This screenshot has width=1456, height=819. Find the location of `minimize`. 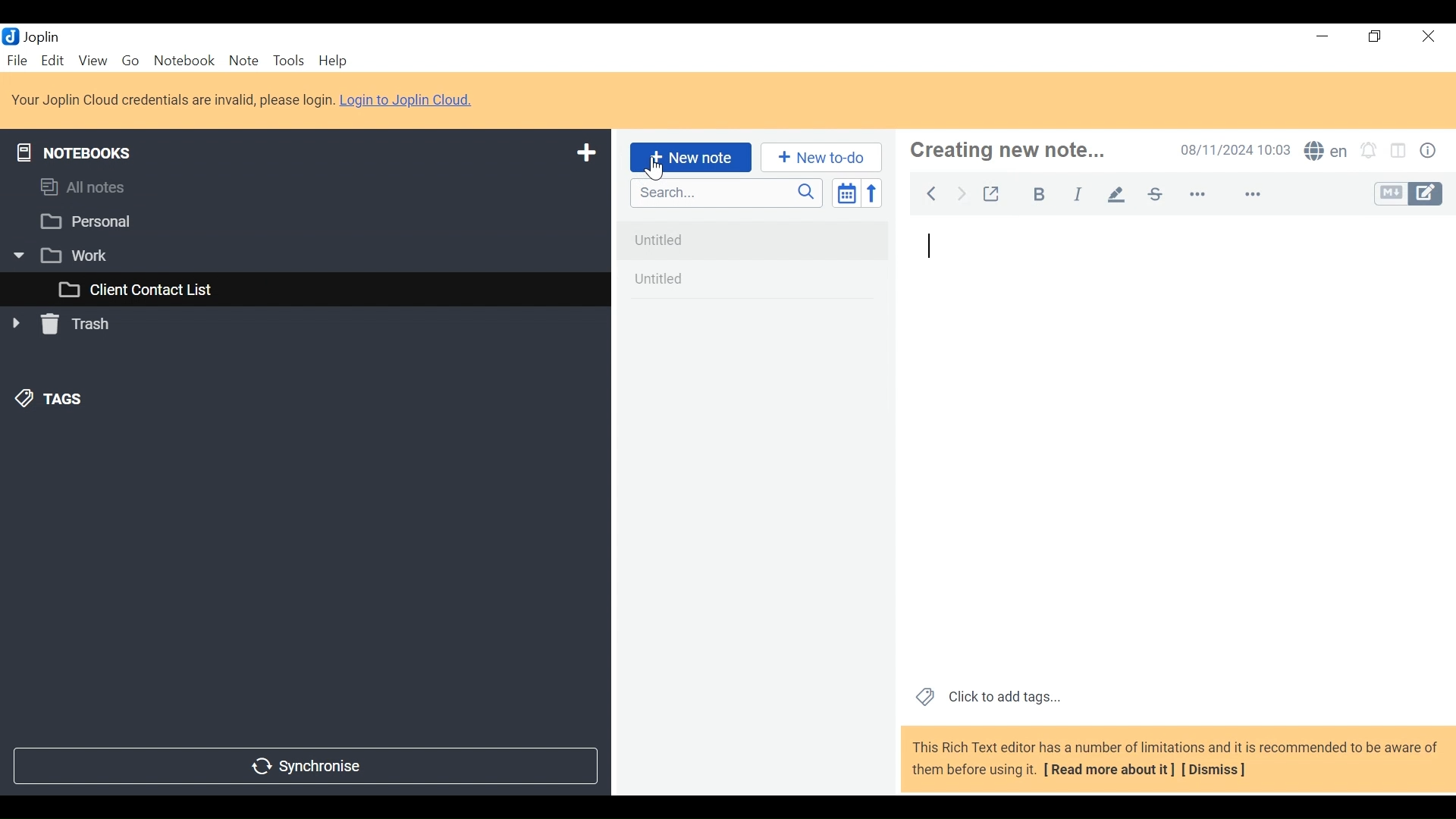

minimize is located at coordinates (1319, 36).